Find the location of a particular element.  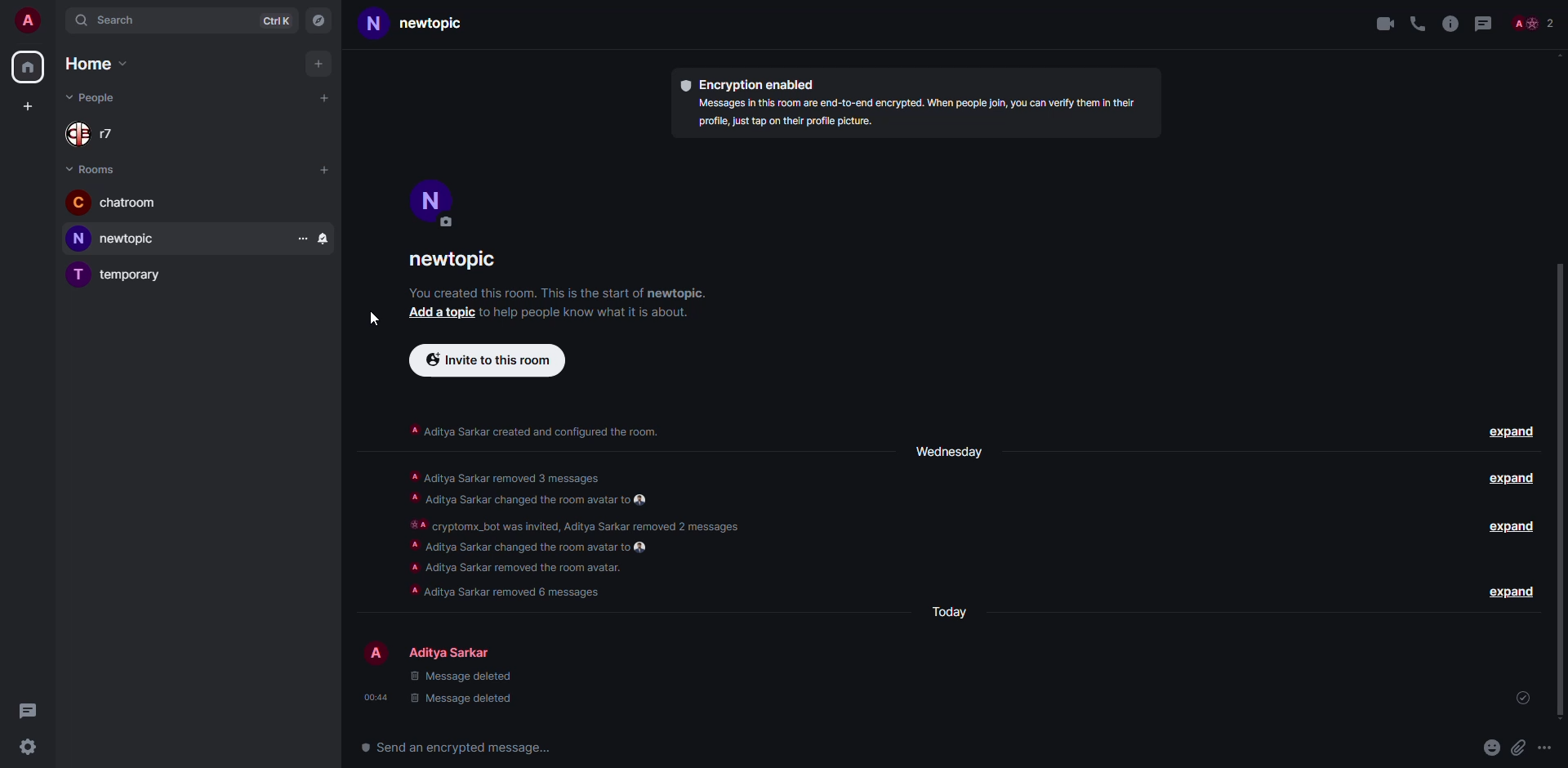

voice is located at coordinates (1416, 23).